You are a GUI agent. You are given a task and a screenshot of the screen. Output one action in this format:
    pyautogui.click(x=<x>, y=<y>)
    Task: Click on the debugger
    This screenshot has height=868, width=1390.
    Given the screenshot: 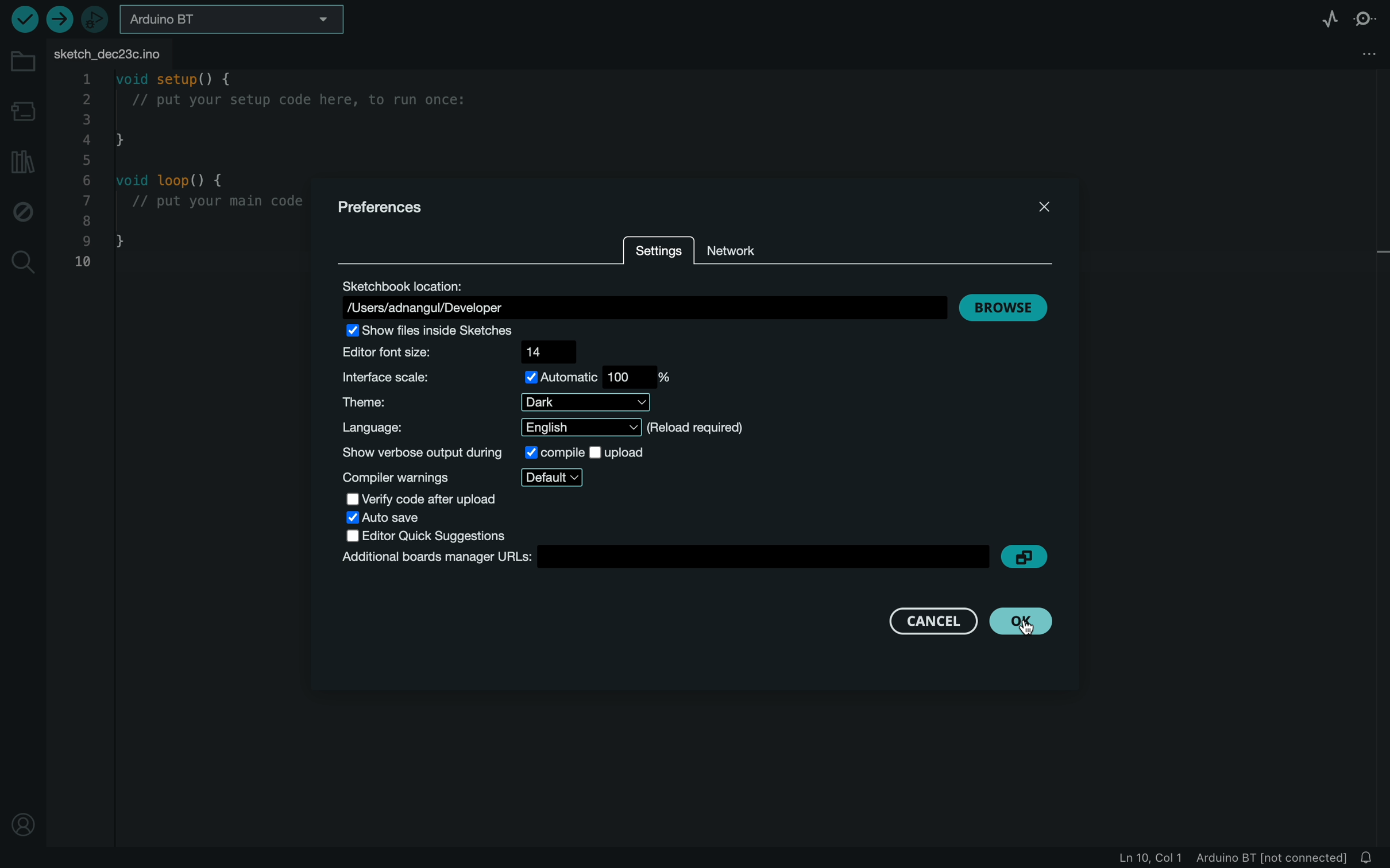 What is the action you would take?
    pyautogui.click(x=93, y=19)
    